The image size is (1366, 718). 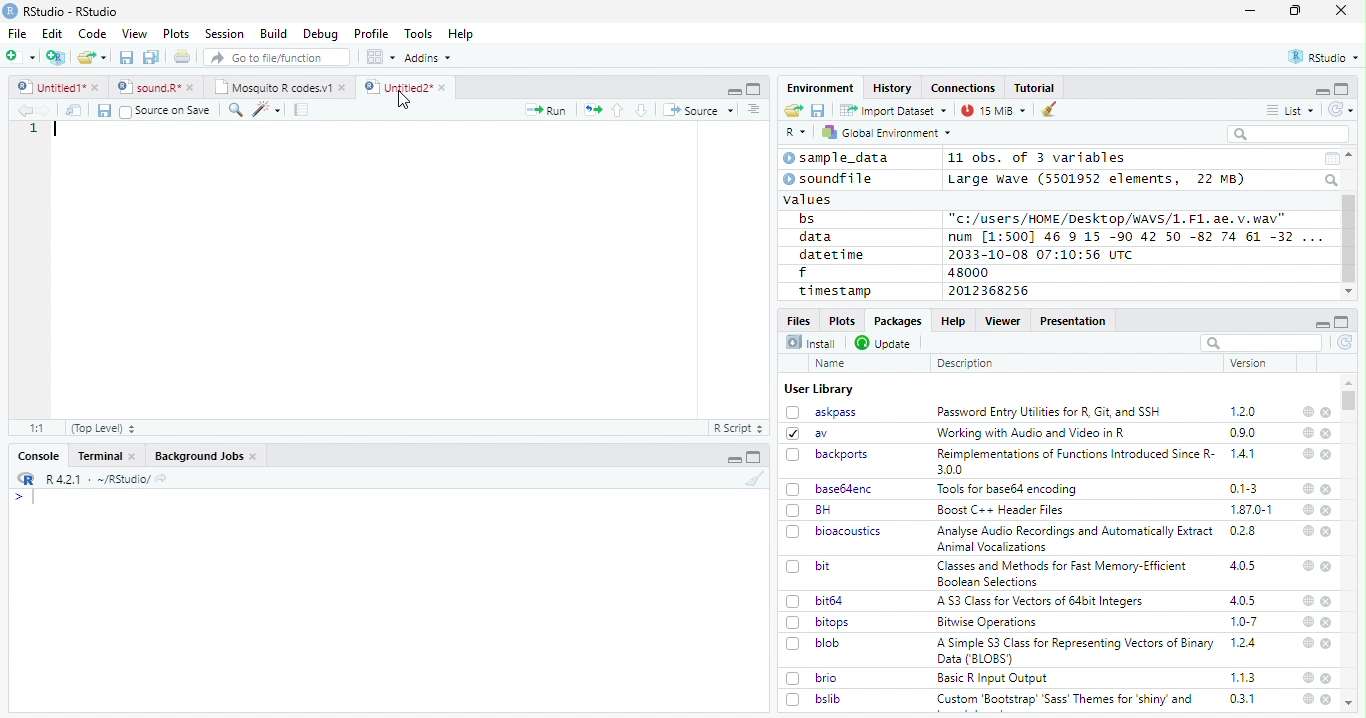 What do you see at coordinates (885, 343) in the screenshot?
I see `Update` at bounding box center [885, 343].